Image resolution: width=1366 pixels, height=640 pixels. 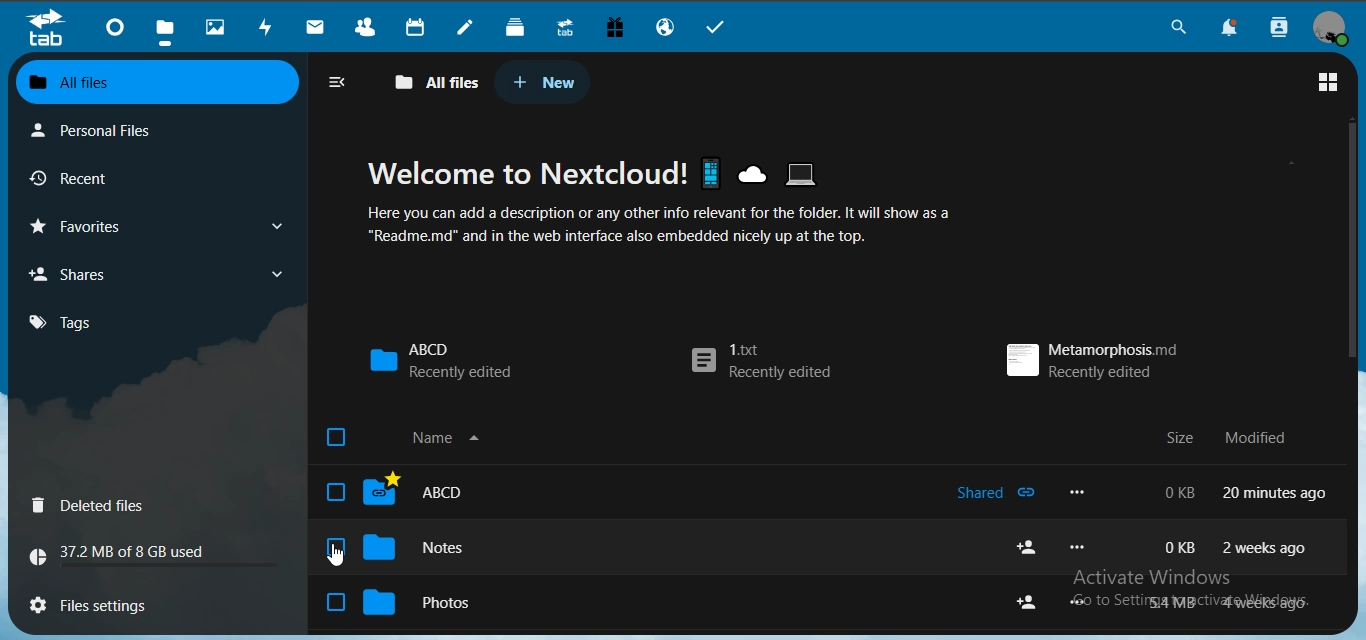 I want to click on notes, so click(x=499, y=546).